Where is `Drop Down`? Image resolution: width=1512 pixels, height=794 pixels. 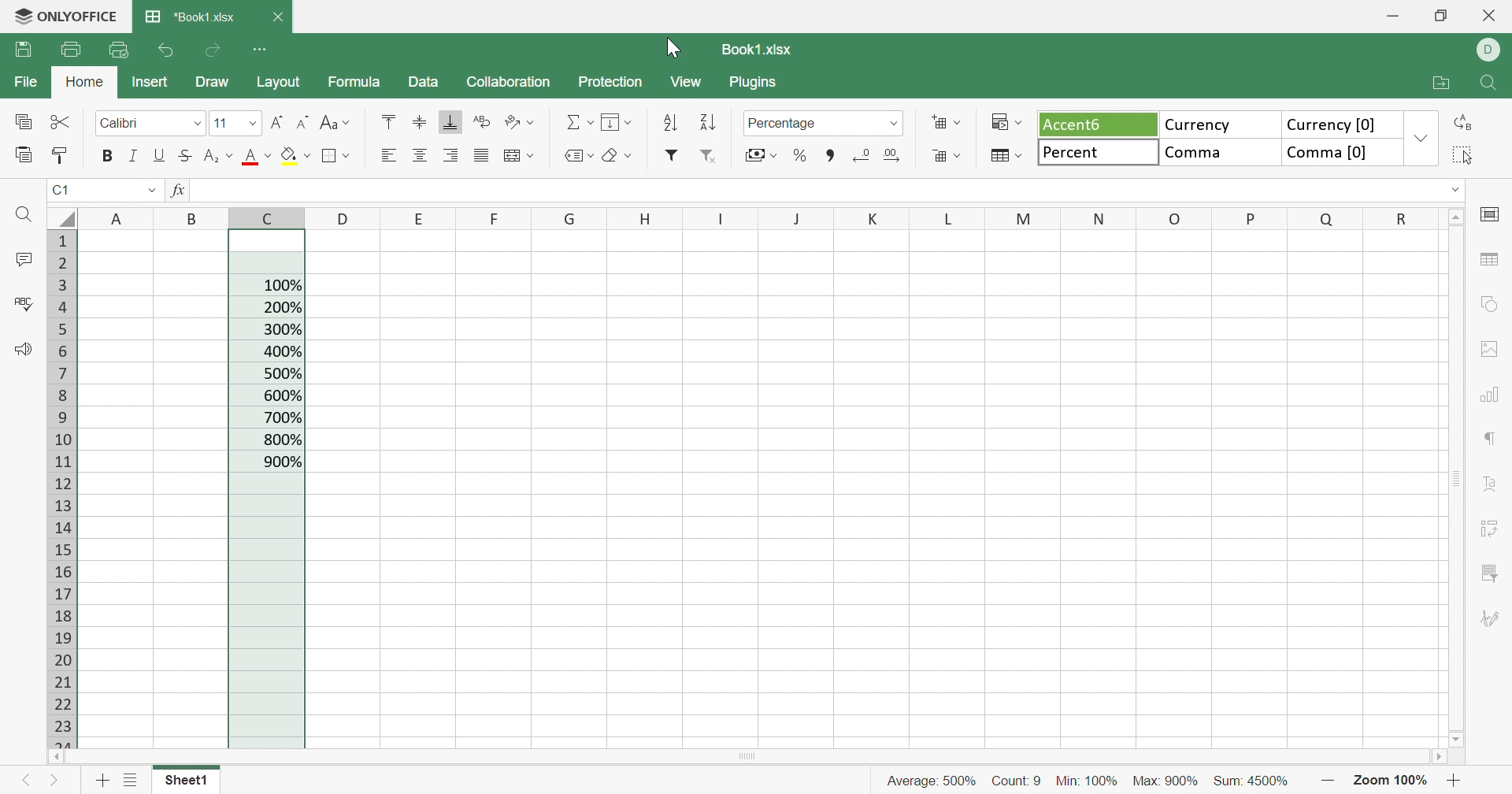 Drop Down is located at coordinates (1421, 141).